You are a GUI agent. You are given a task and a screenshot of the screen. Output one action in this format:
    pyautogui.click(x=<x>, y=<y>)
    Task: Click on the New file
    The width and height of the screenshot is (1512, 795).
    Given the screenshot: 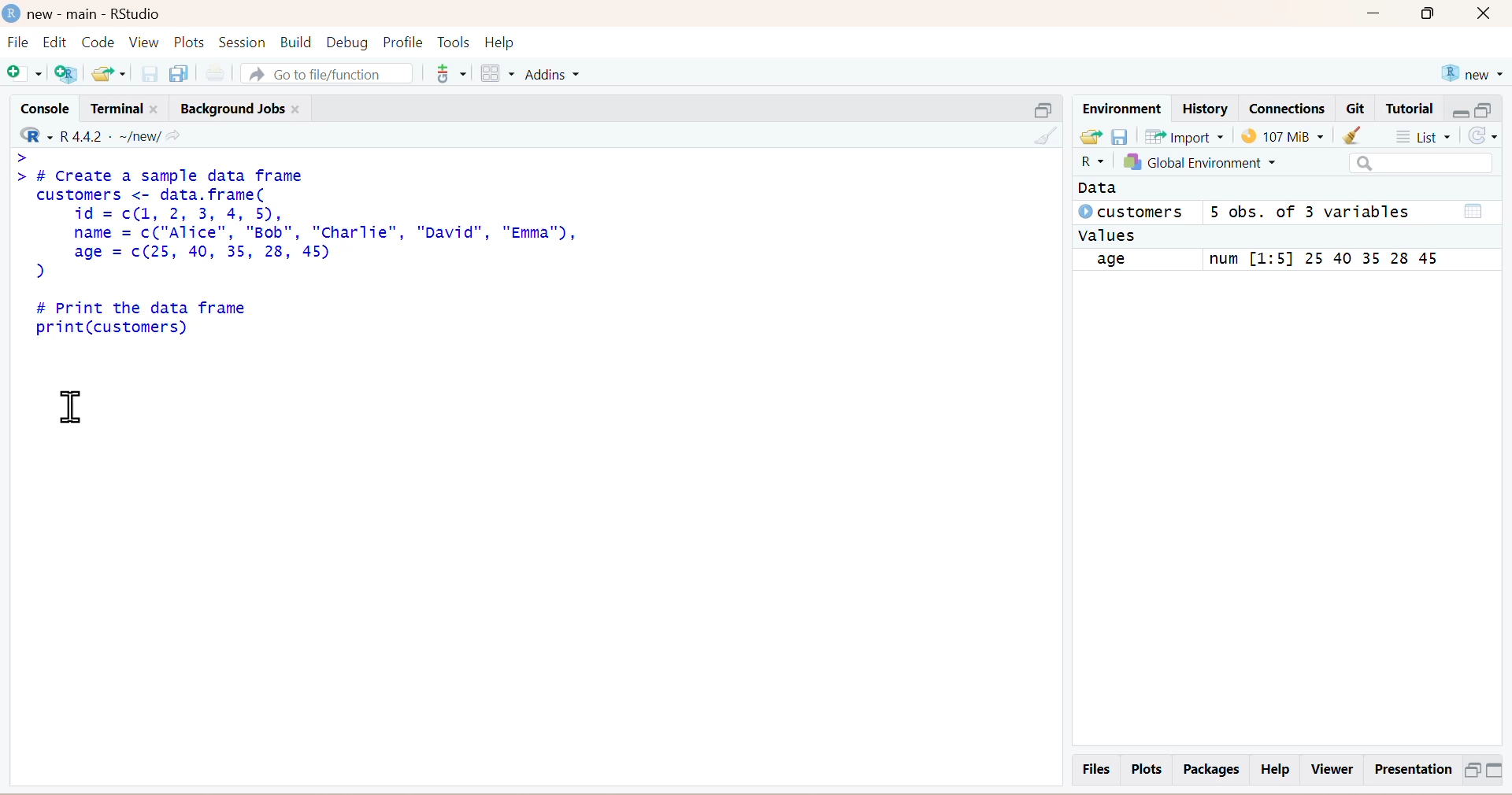 What is the action you would take?
    pyautogui.click(x=25, y=73)
    